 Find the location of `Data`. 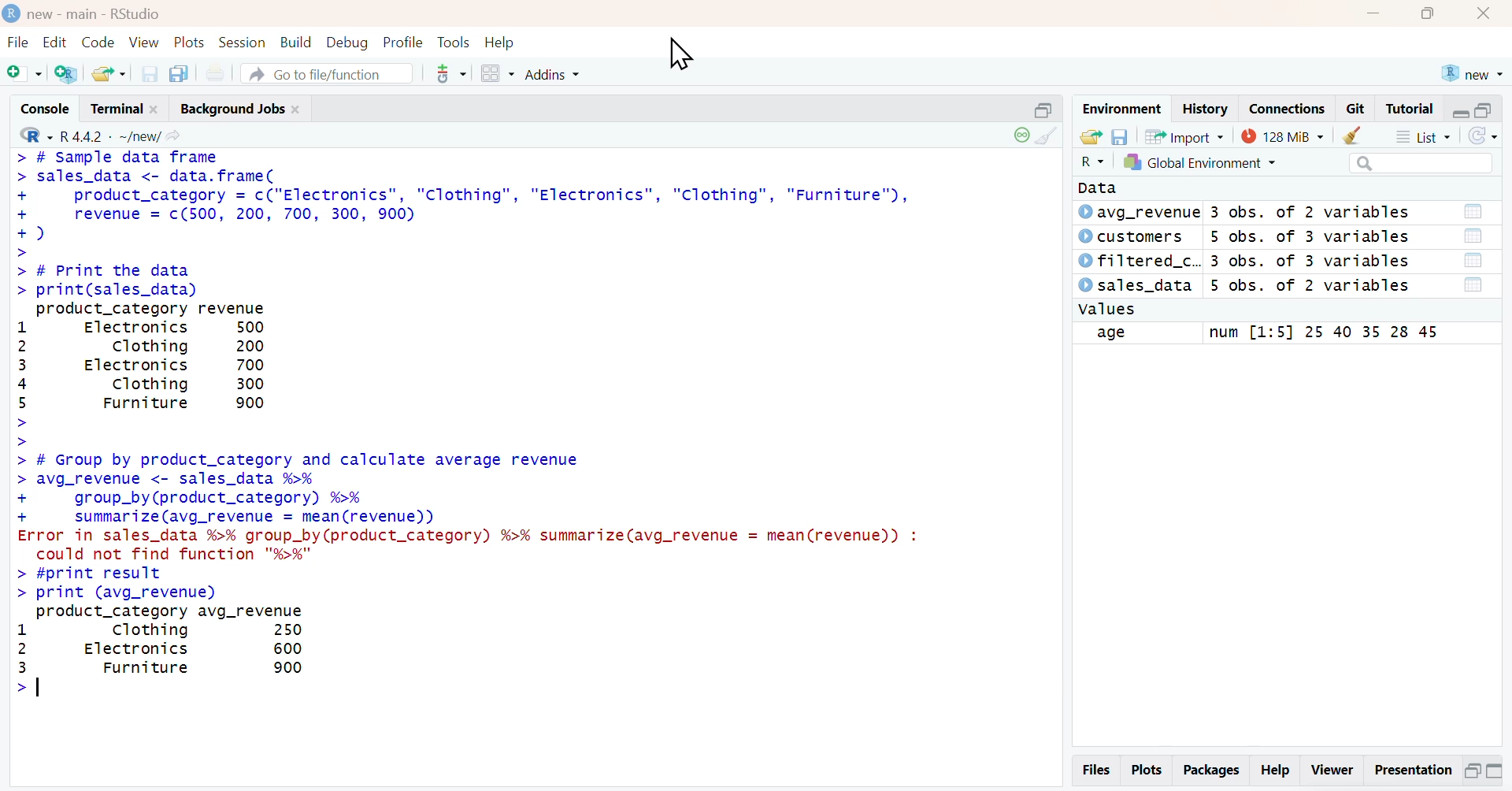

Data is located at coordinates (1104, 188).